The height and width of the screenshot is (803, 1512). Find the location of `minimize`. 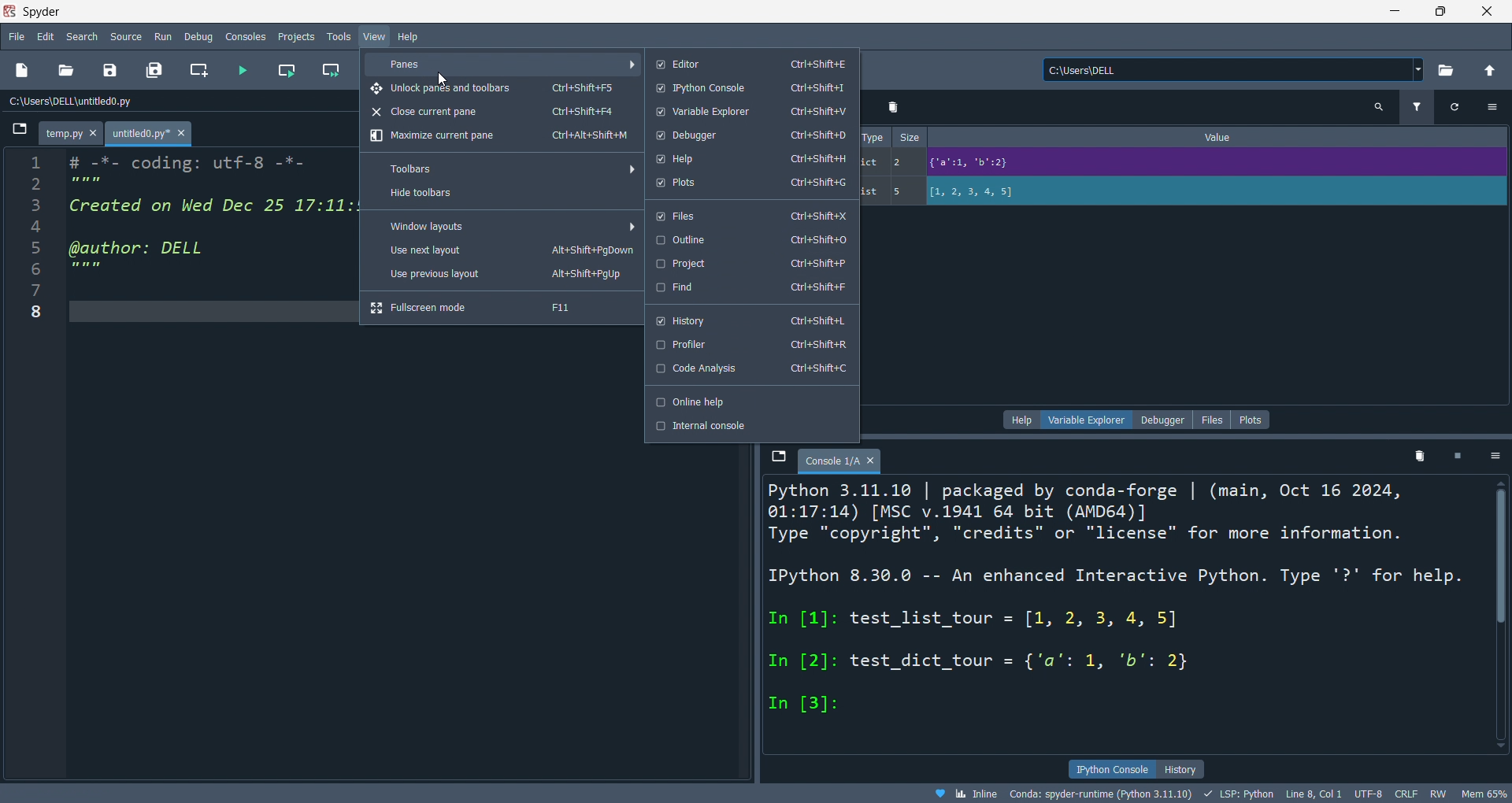

minimize is located at coordinates (1393, 12).